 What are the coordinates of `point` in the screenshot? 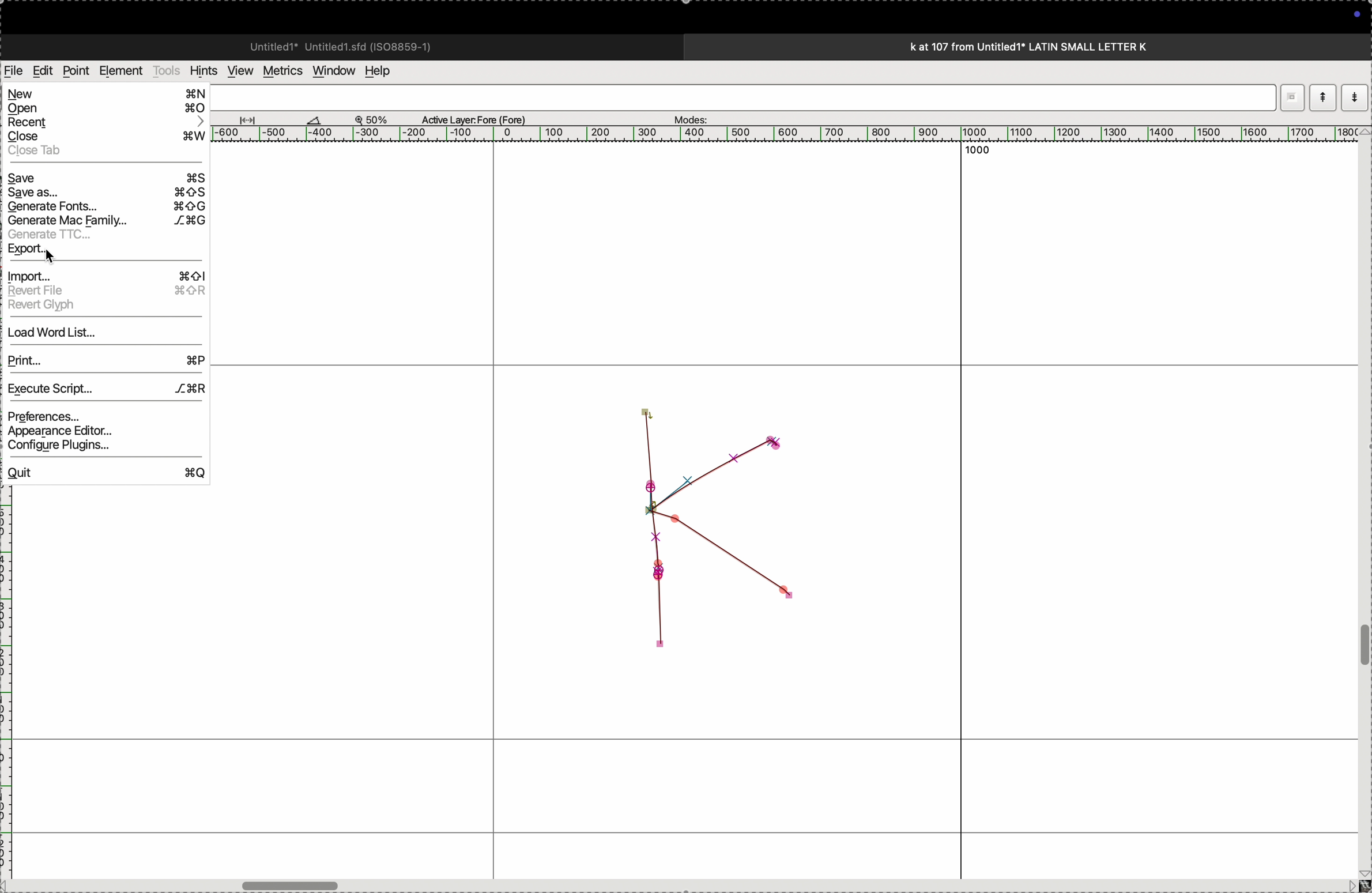 It's located at (76, 71).